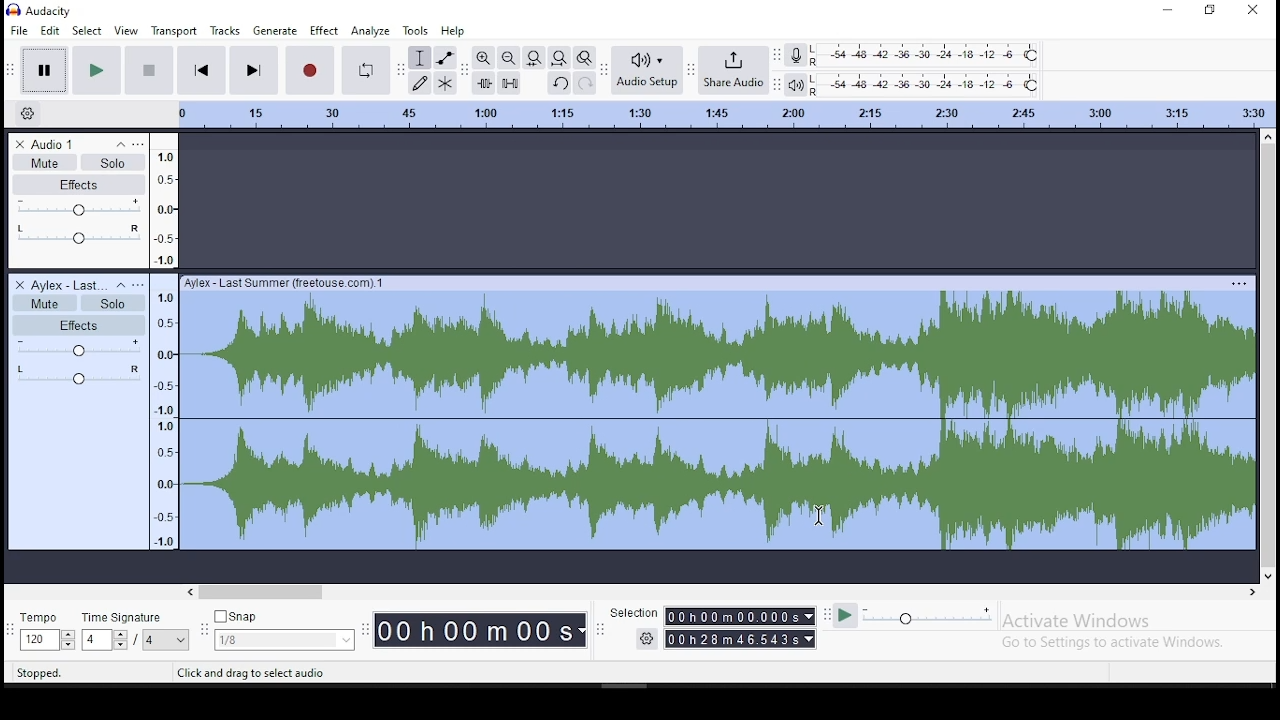 This screenshot has width=1280, height=720. I want to click on Selection, so click(634, 612).